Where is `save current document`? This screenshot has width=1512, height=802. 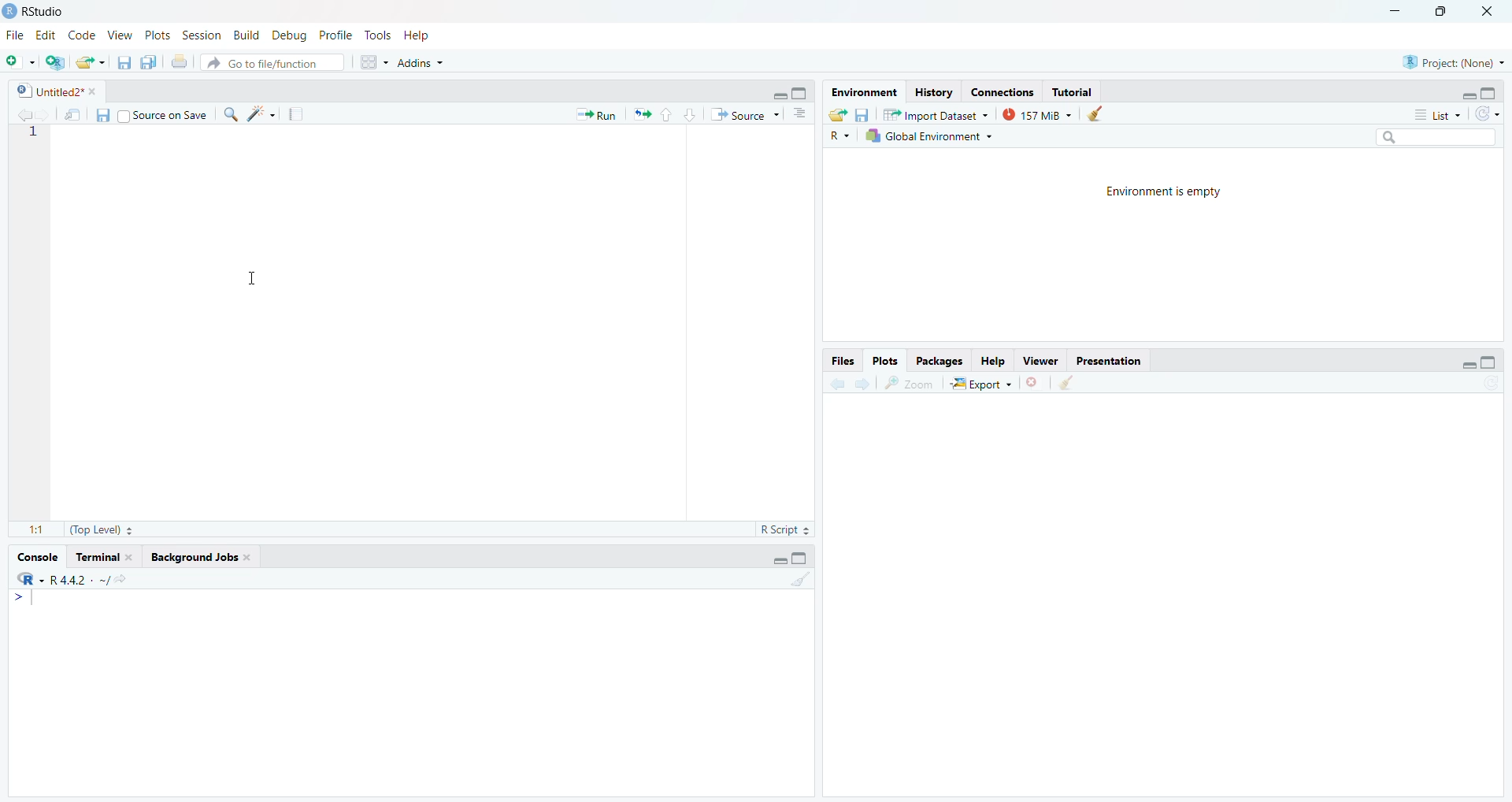 save current document is located at coordinates (124, 63).